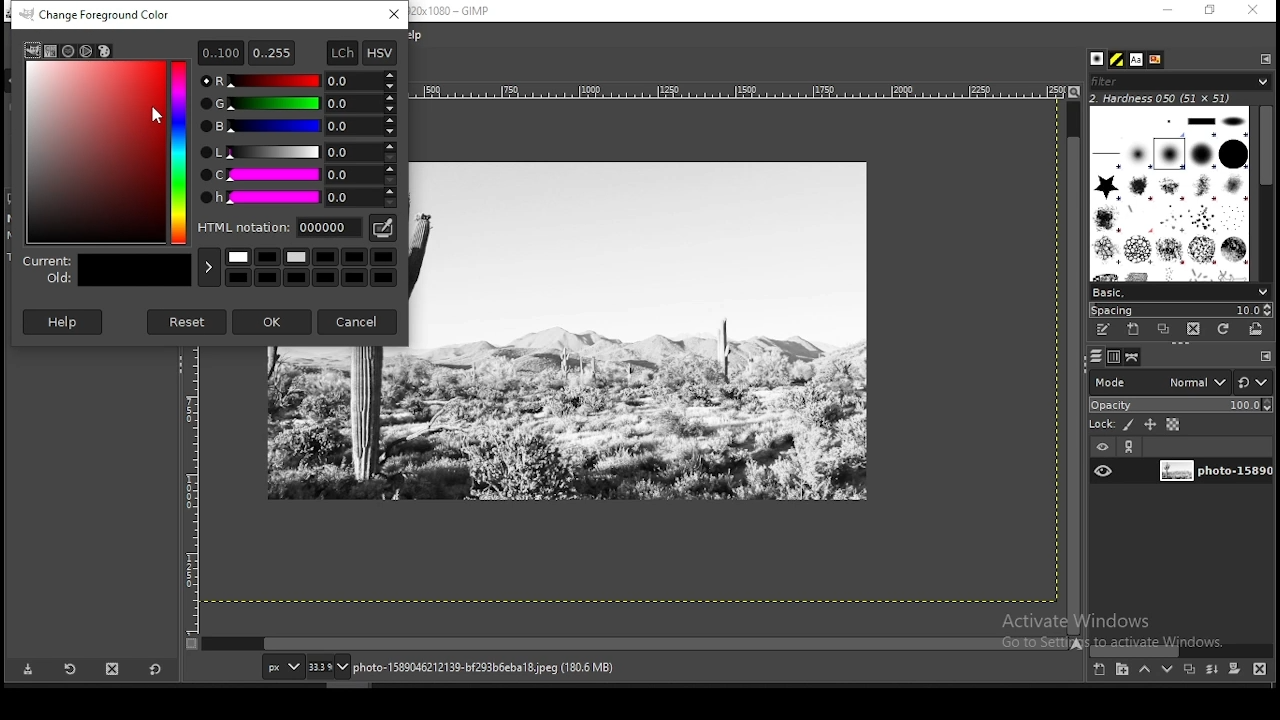  What do you see at coordinates (87, 51) in the screenshot?
I see `watercolor` at bounding box center [87, 51].